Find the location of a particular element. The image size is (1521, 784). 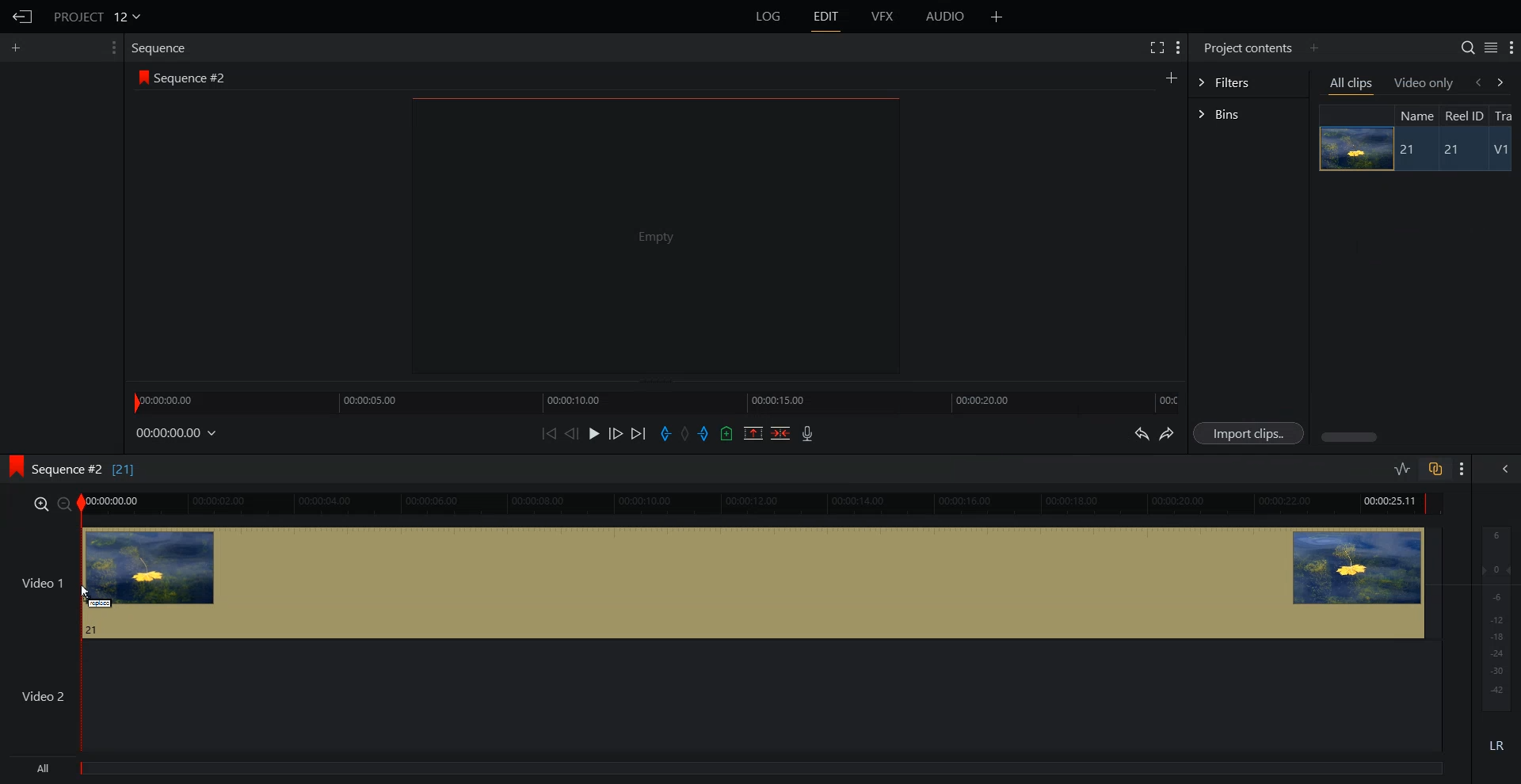

Timeline is located at coordinates (655, 401).